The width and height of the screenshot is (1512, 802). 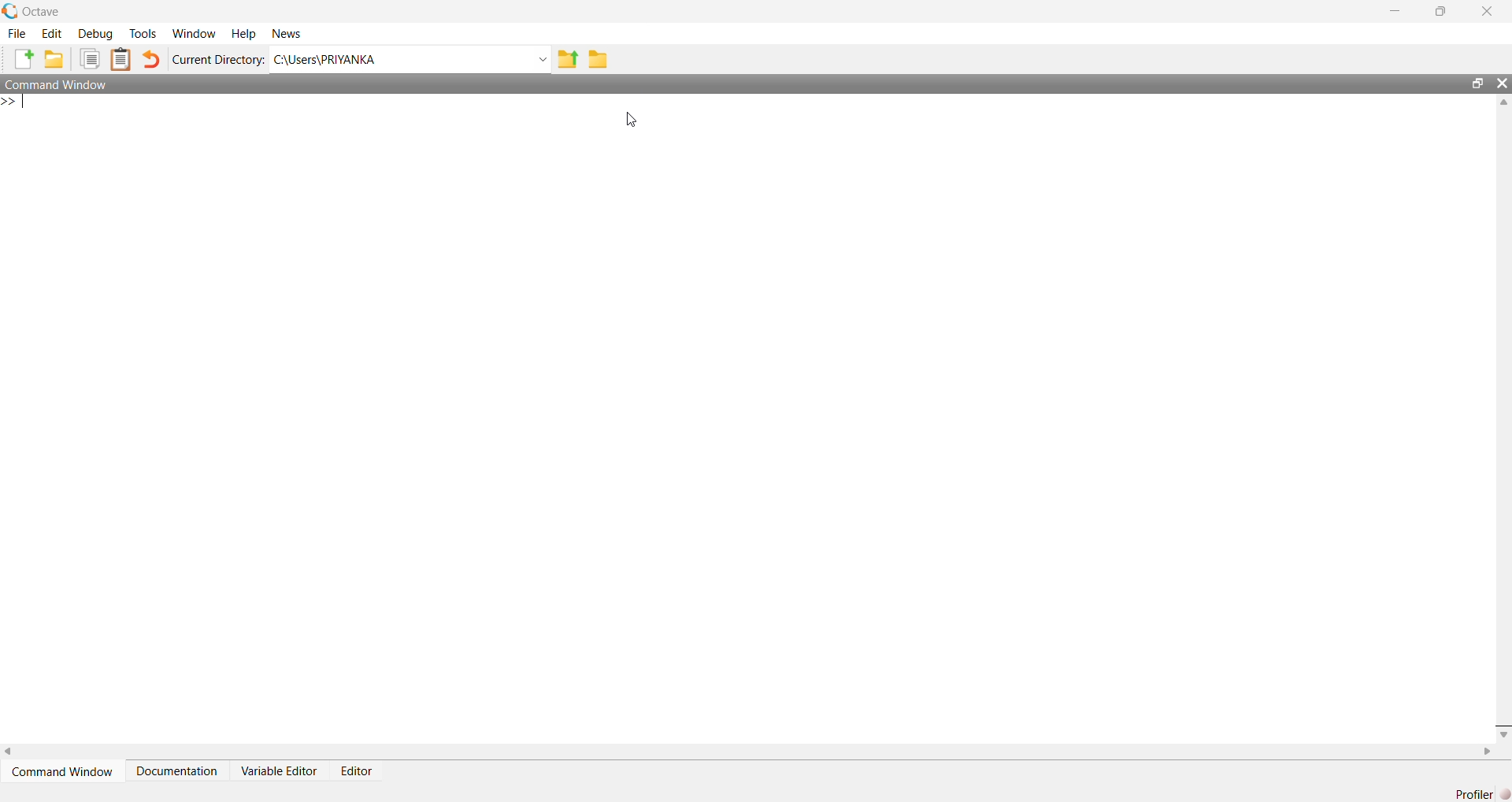 What do you see at coordinates (219, 61) in the screenshot?
I see `Current Directory:` at bounding box center [219, 61].